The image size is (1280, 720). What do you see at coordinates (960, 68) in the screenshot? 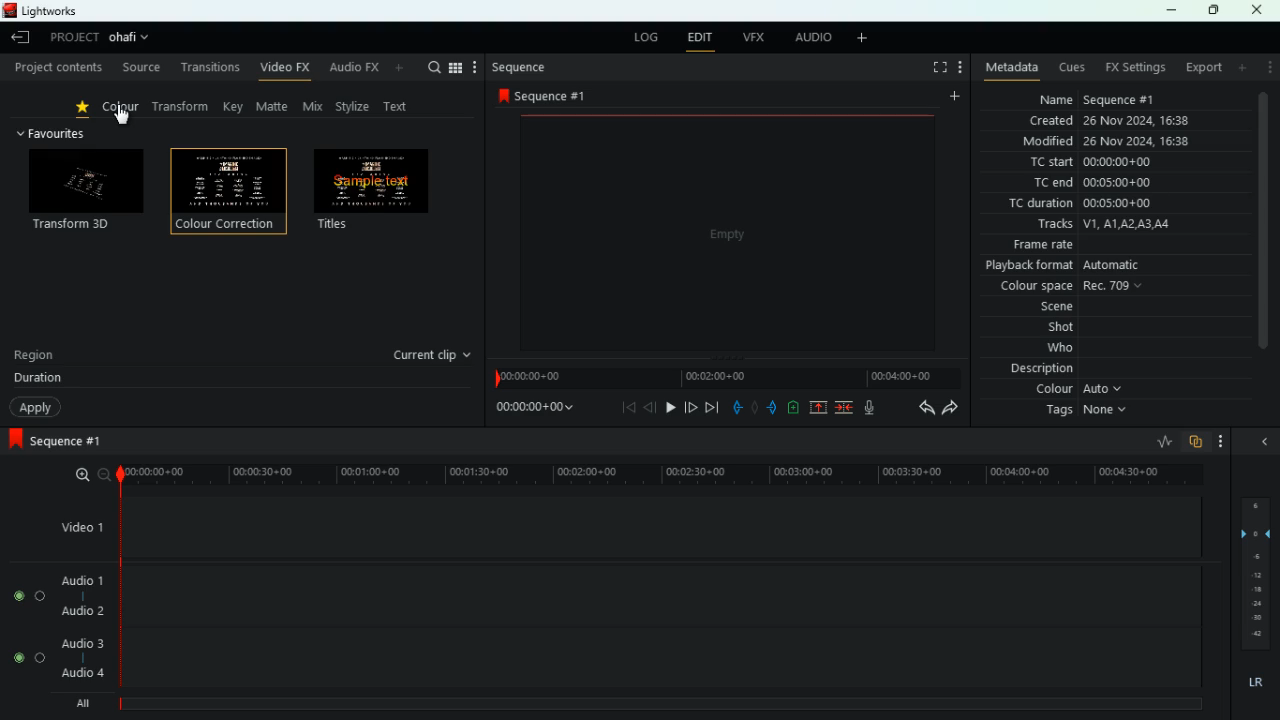
I see `more` at bounding box center [960, 68].